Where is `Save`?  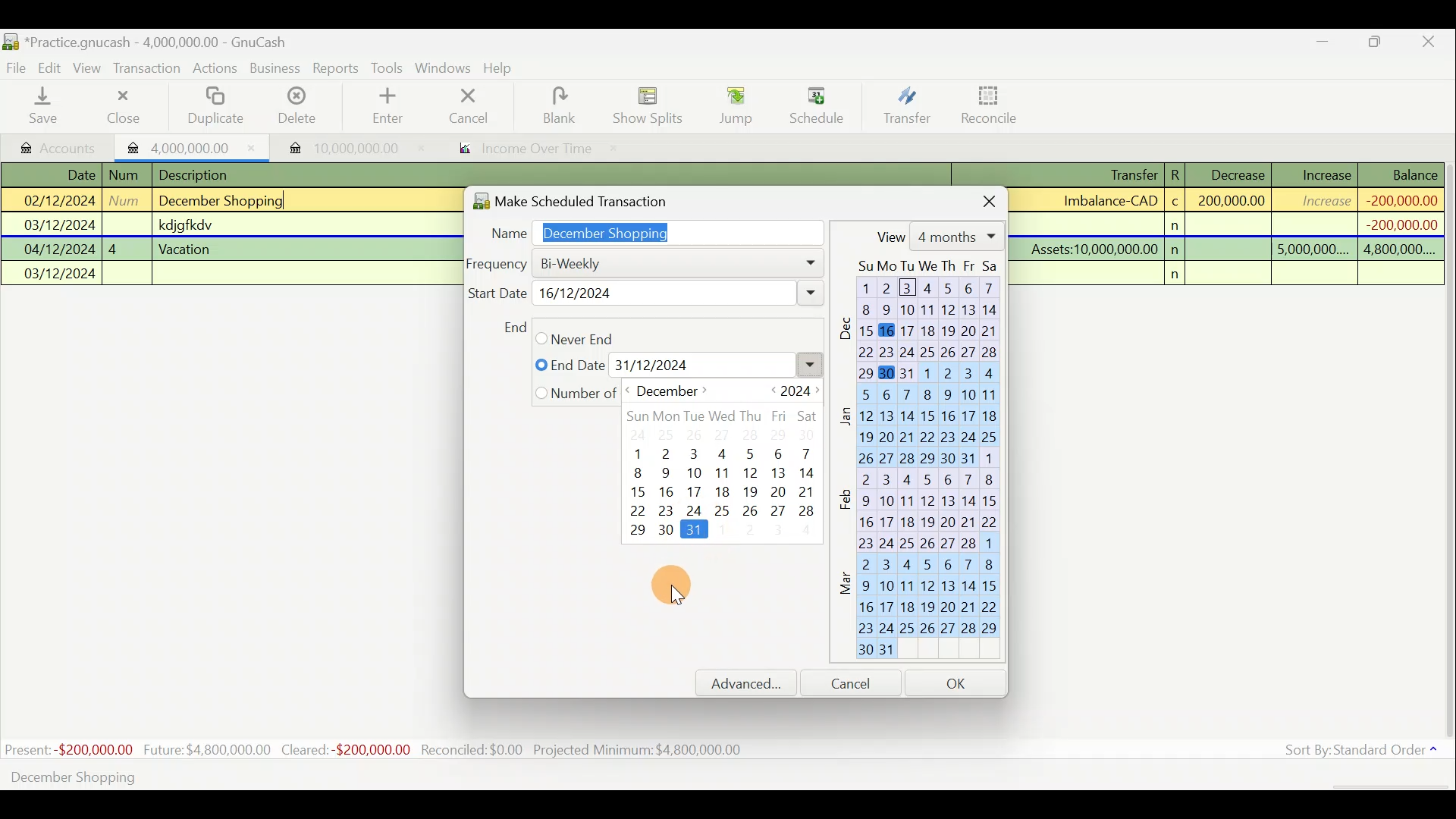 Save is located at coordinates (46, 105).